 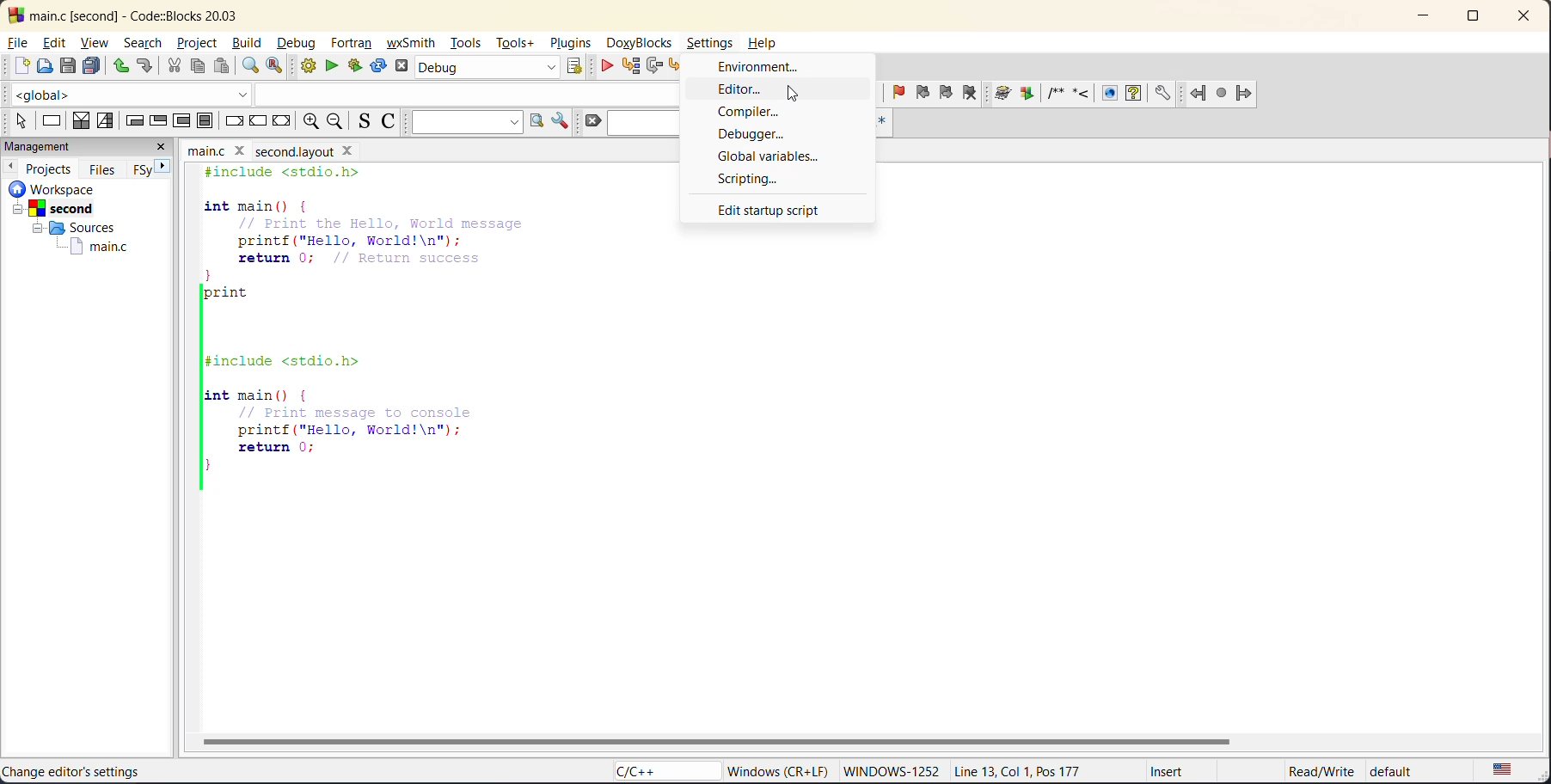 What do you see at coordinates (366, 122) in the screenshot?
I see `toggle source` at bounding box center [366, 122].